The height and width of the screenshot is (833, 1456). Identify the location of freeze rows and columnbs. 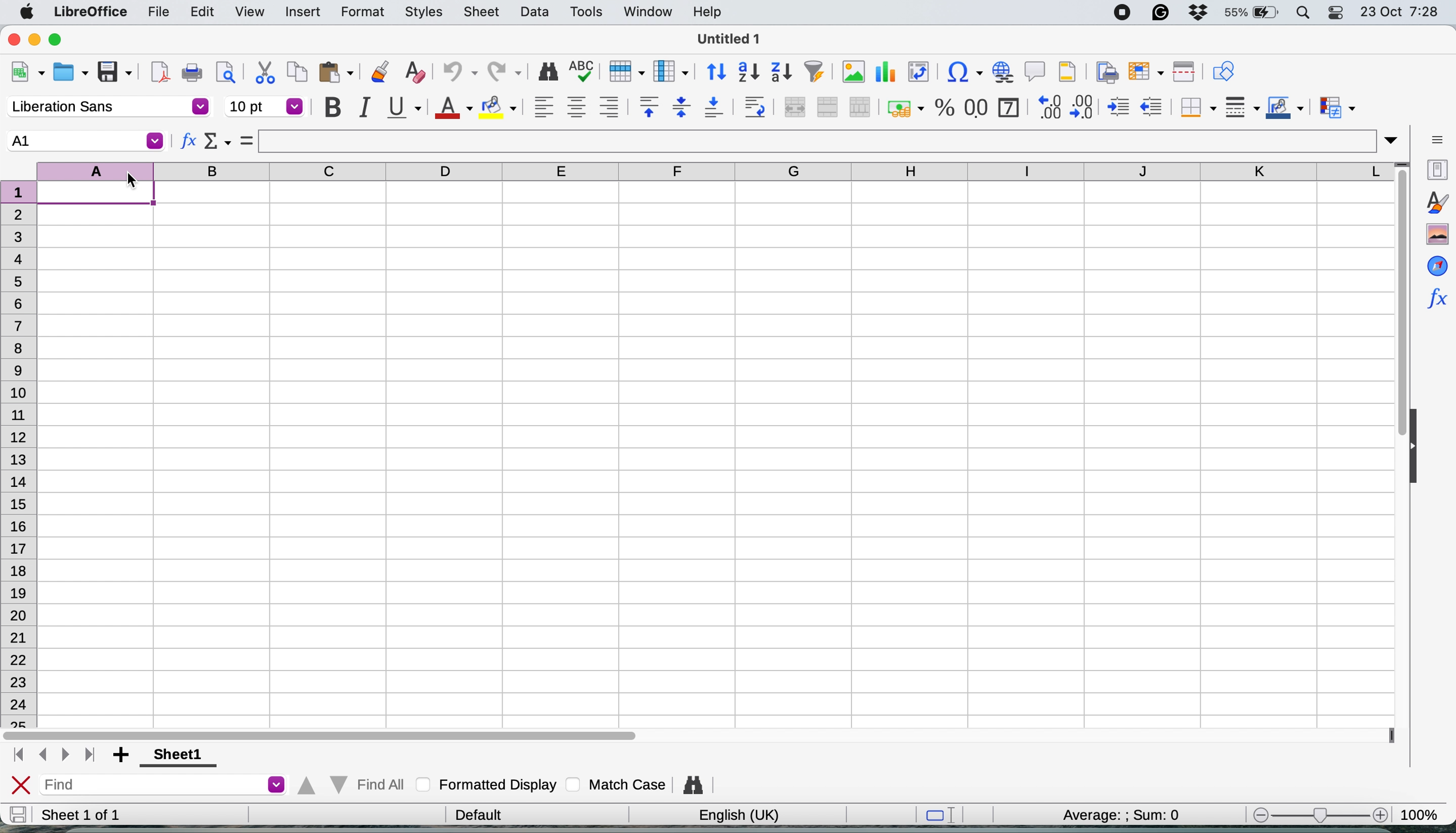
(1147, 72).